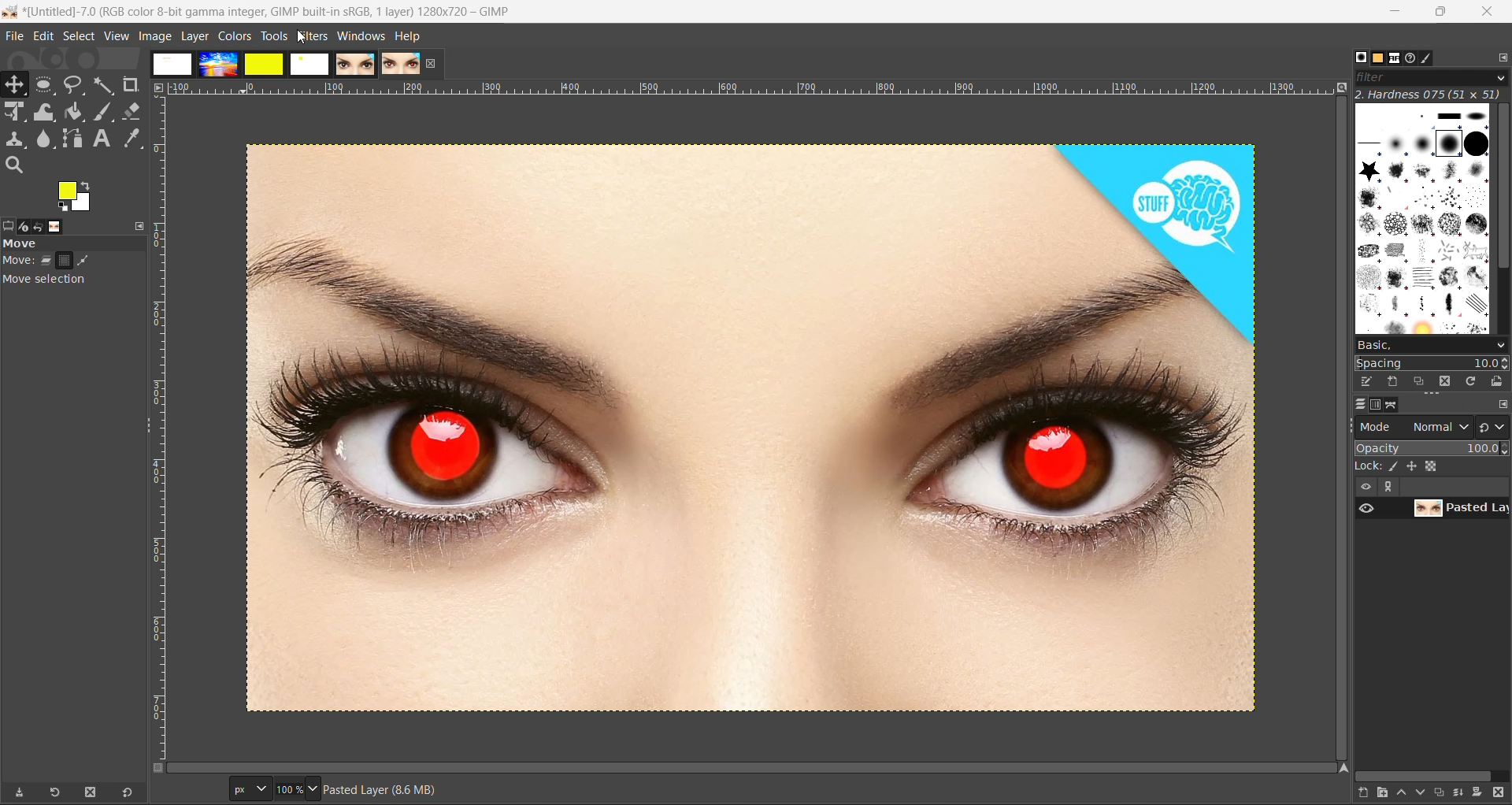 Image resolution: width=1512 pixels, height=805 pixels. Describe the element at coordinates (1502, 404) in the screenshot. I see `configure` at that location.